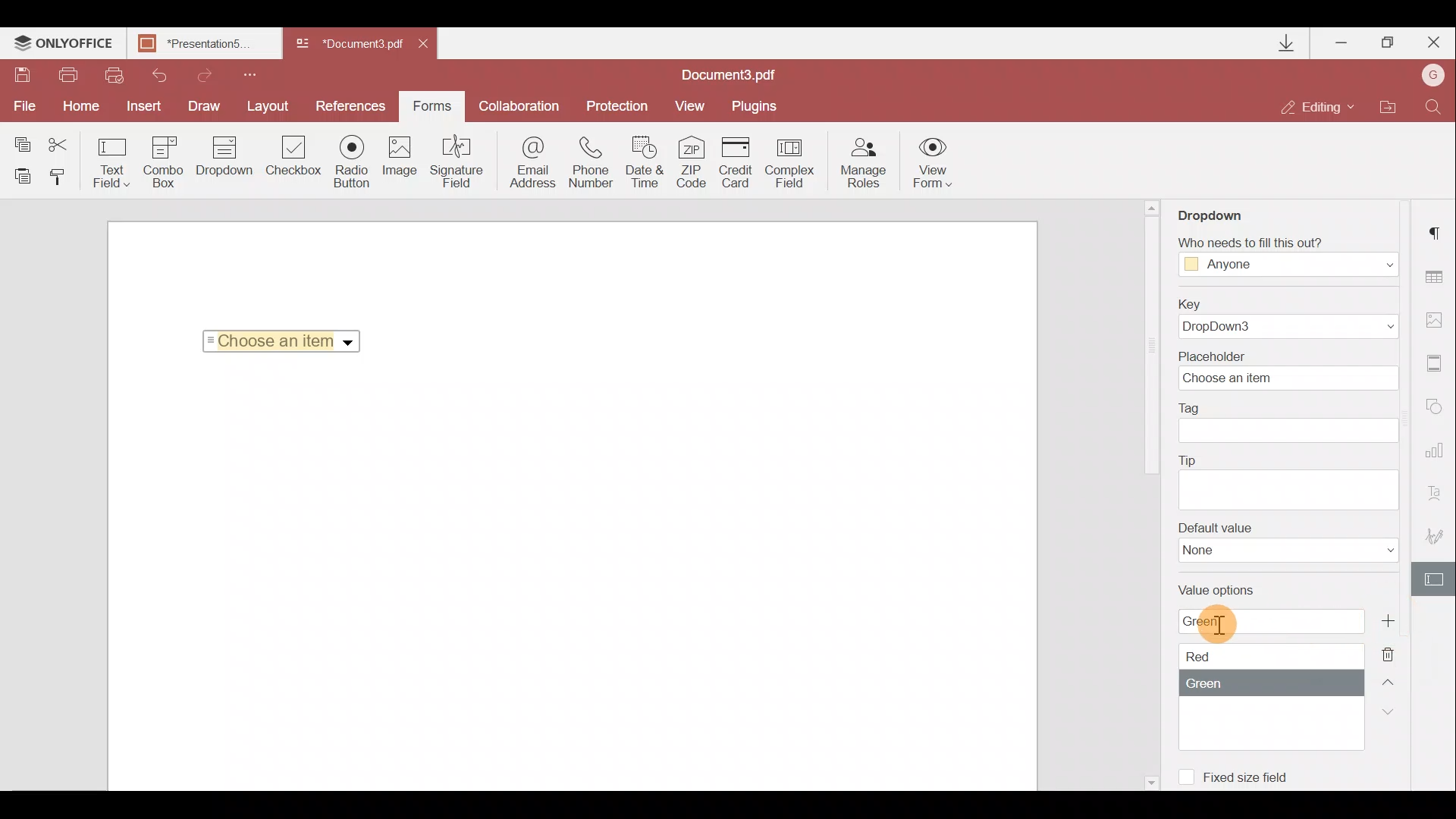 Image resolution: width=1456 pixels, height=819 pixels. Describe the element at coordinates (73, 75) in the screenshot. I see `Print file` at that location.